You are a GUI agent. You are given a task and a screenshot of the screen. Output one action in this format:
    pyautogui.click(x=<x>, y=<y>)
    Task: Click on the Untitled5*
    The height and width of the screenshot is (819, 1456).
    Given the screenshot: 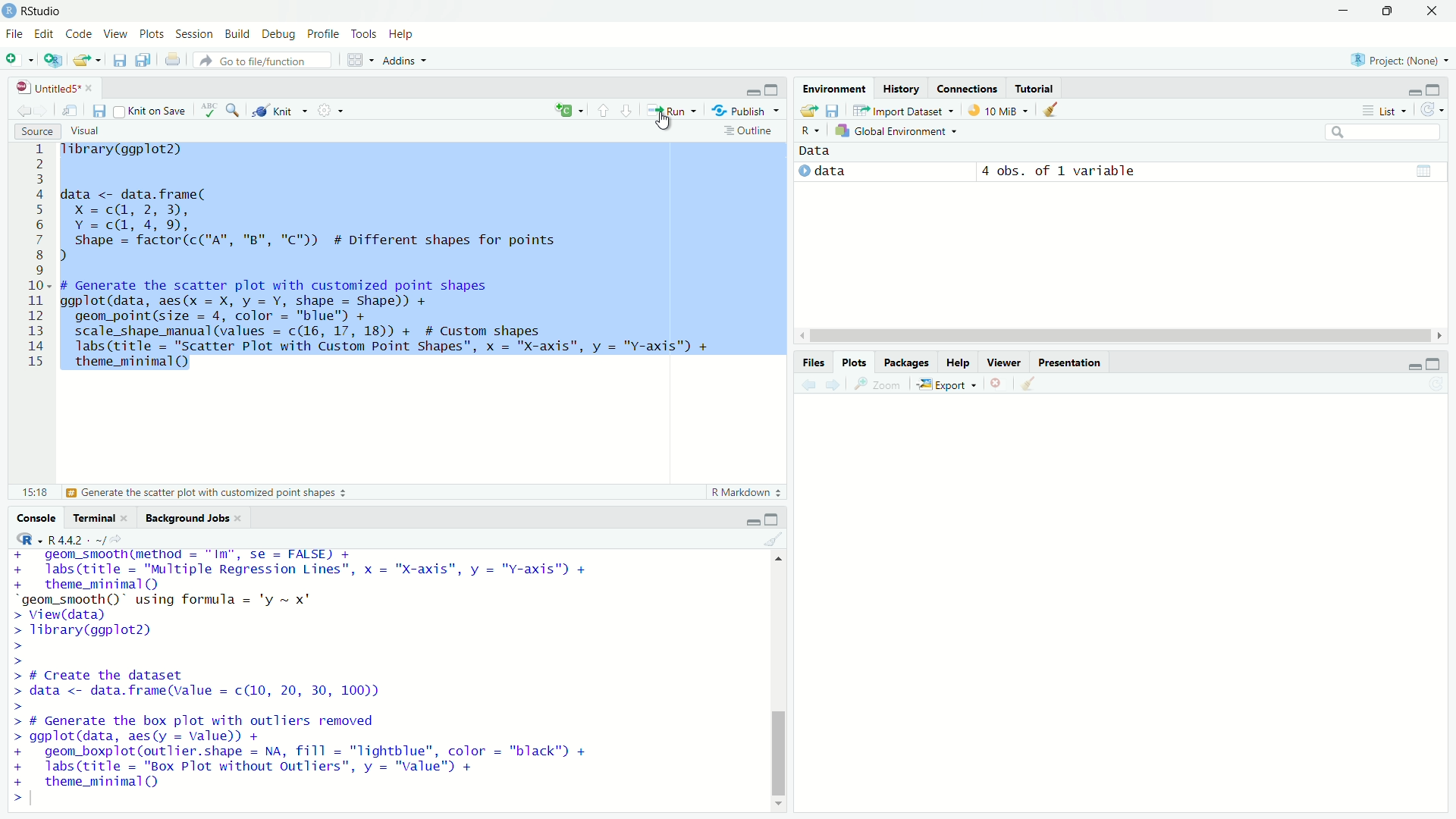 What is the action you would take?
    pyautogui.click(x=46, y=88)
    